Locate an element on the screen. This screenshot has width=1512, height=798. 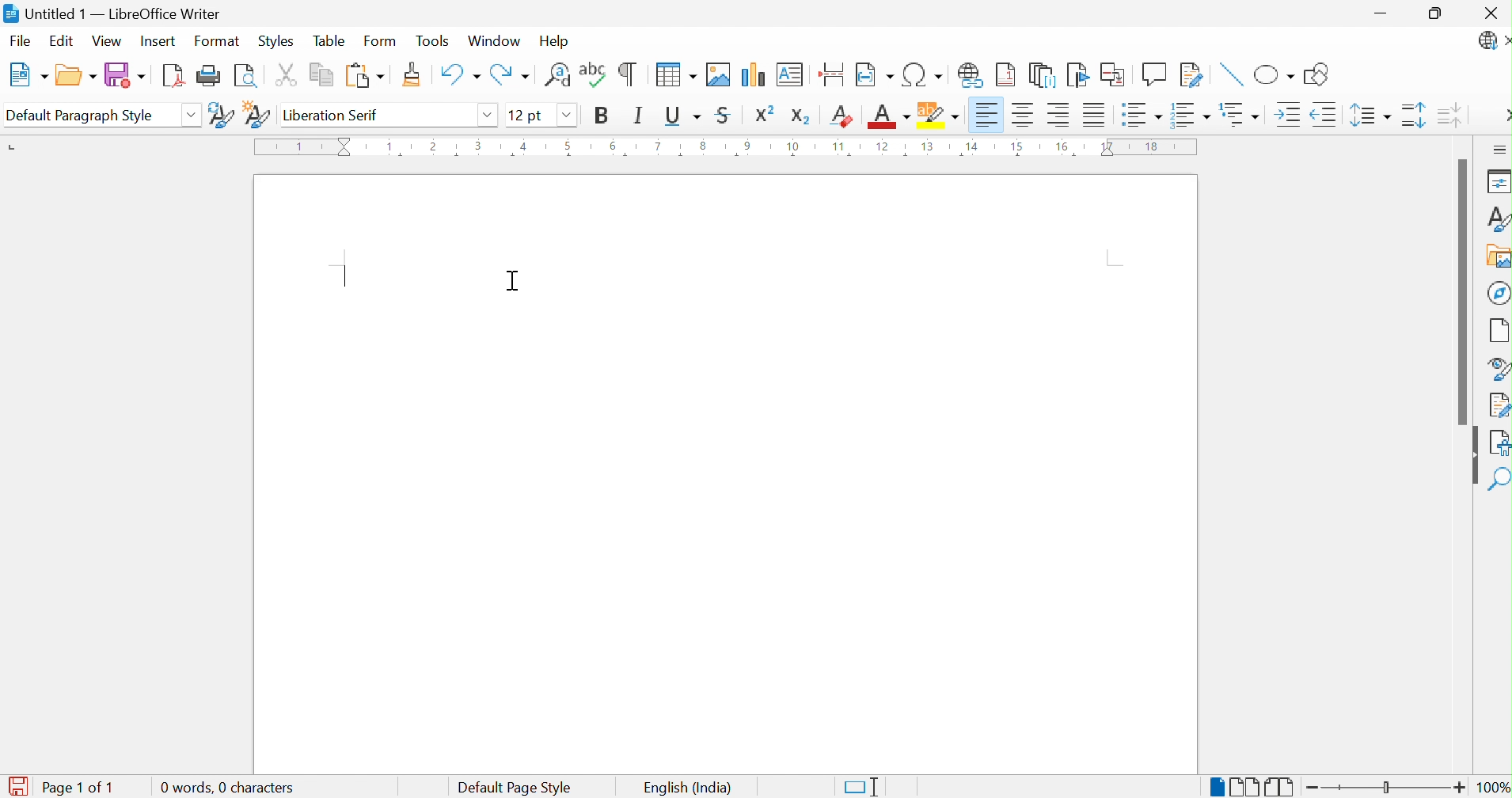
Justified is located at coordinates (1096, 114).